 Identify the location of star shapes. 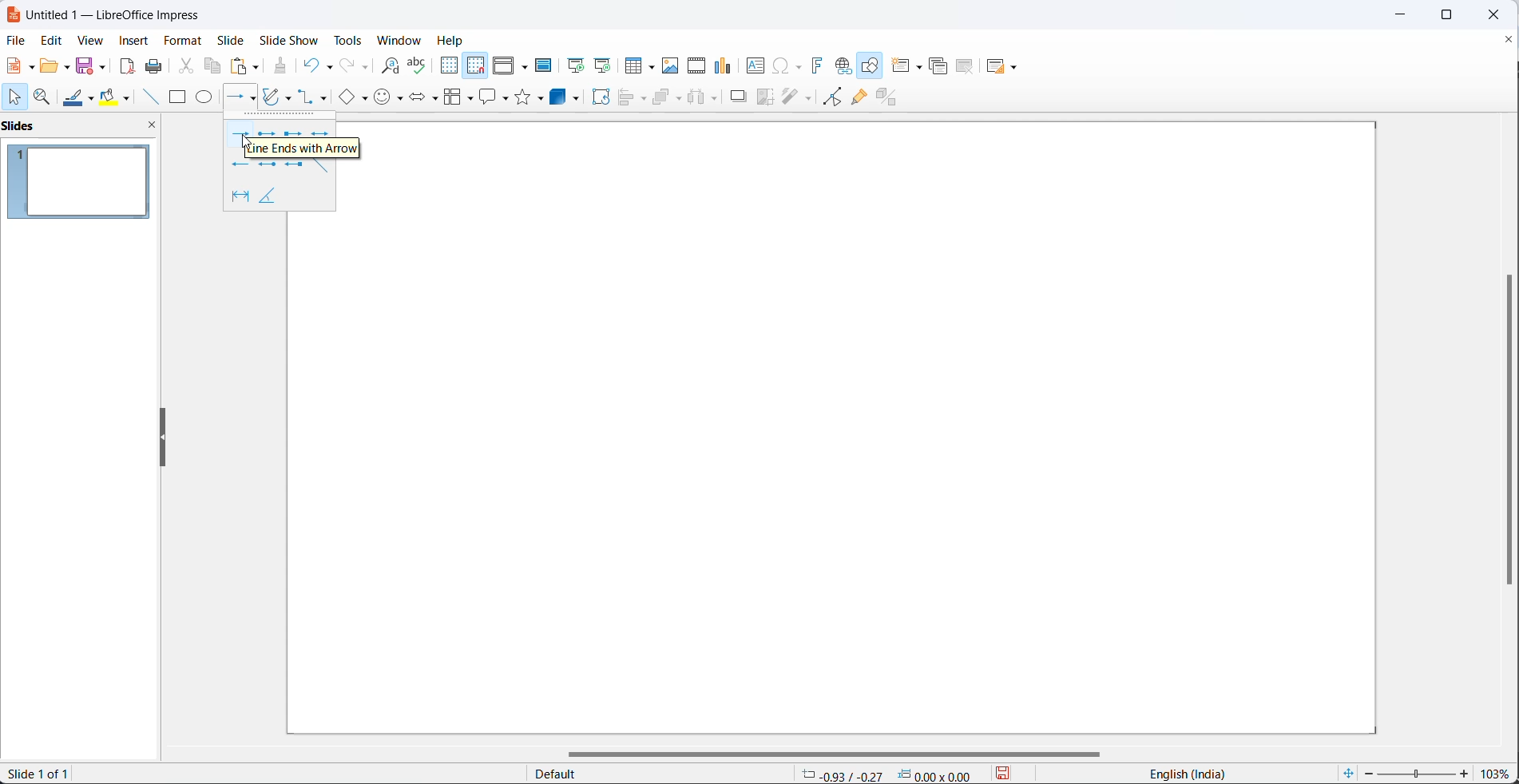
(531, 97).